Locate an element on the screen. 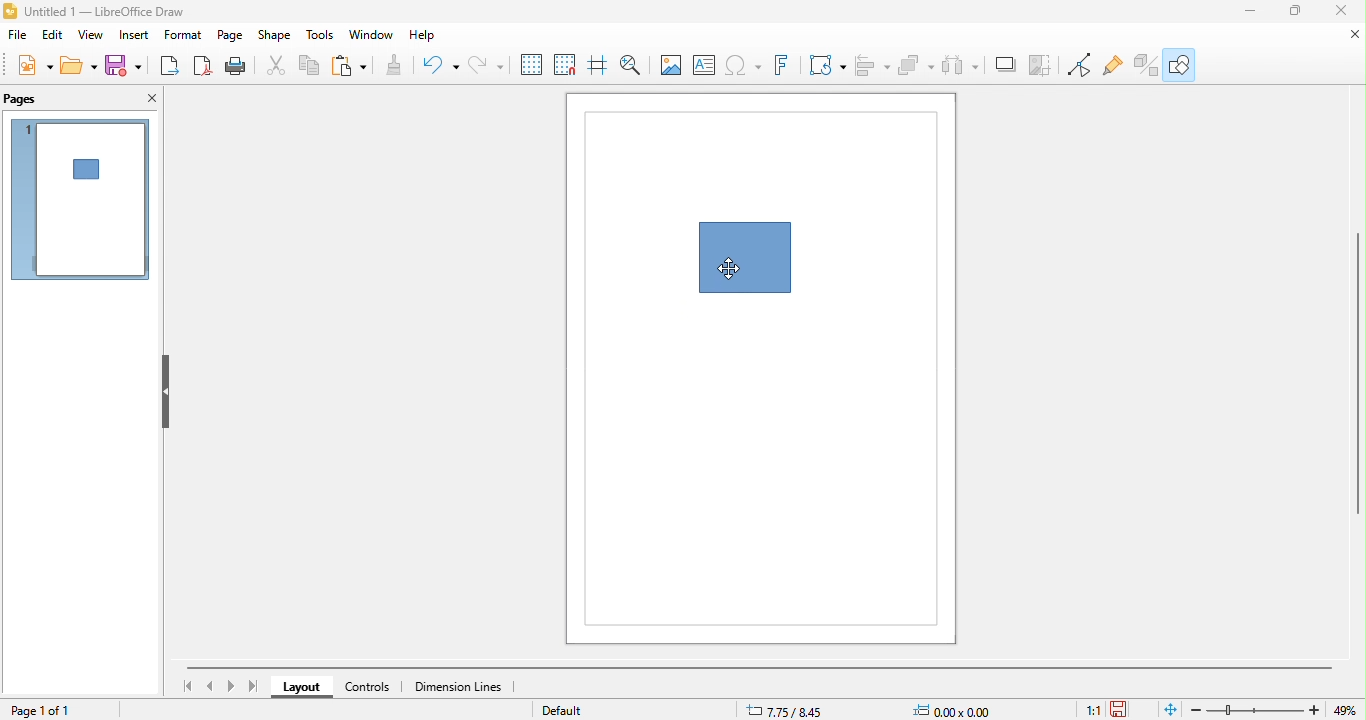 The image size is (1366, 720). minimize is located at coordinates (1348, 34).